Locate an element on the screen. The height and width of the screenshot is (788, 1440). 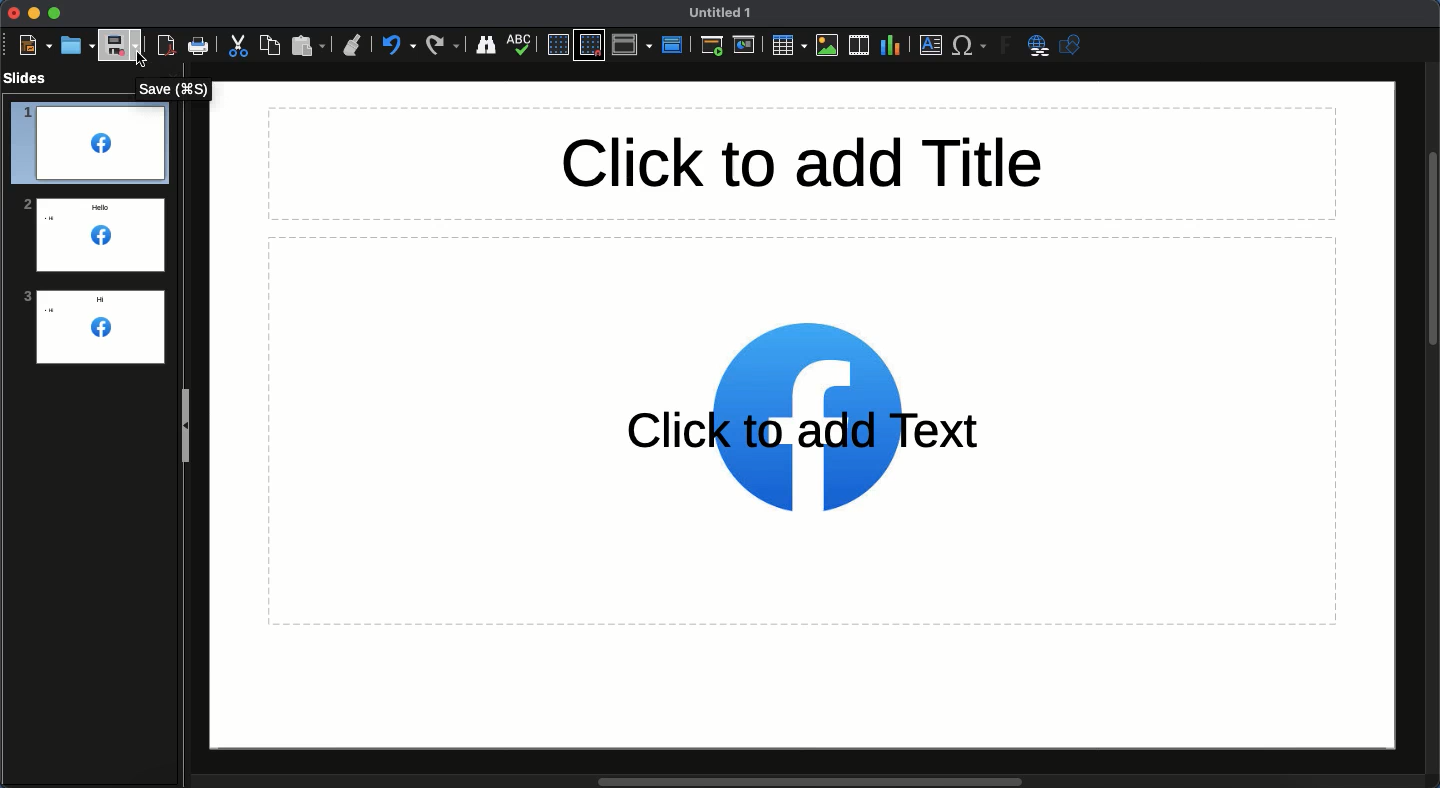
Open is located at coordinates (75, 46).